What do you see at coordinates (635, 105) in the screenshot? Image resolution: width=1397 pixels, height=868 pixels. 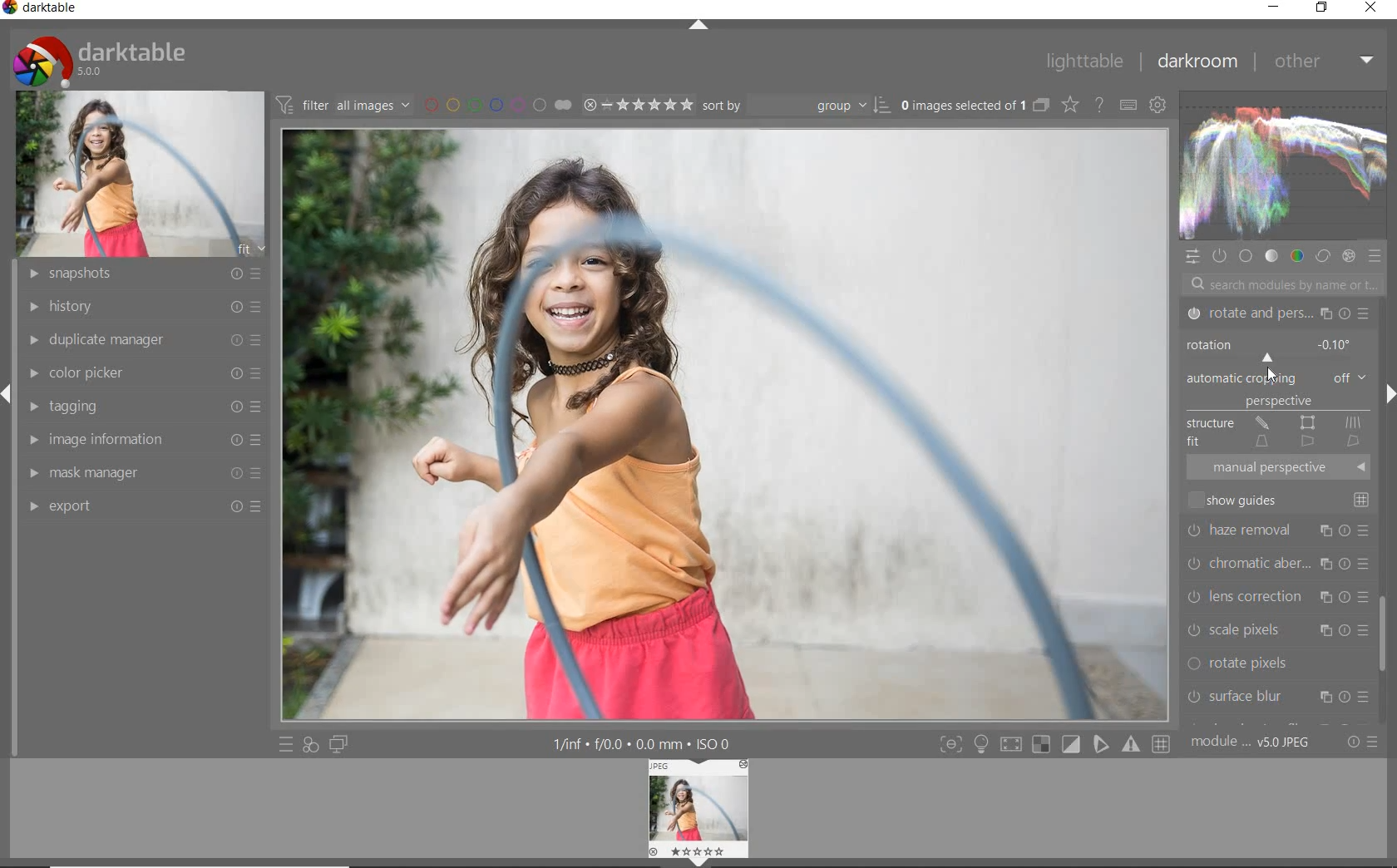 I see `selected image range rating` at bounding box center [635, 105].